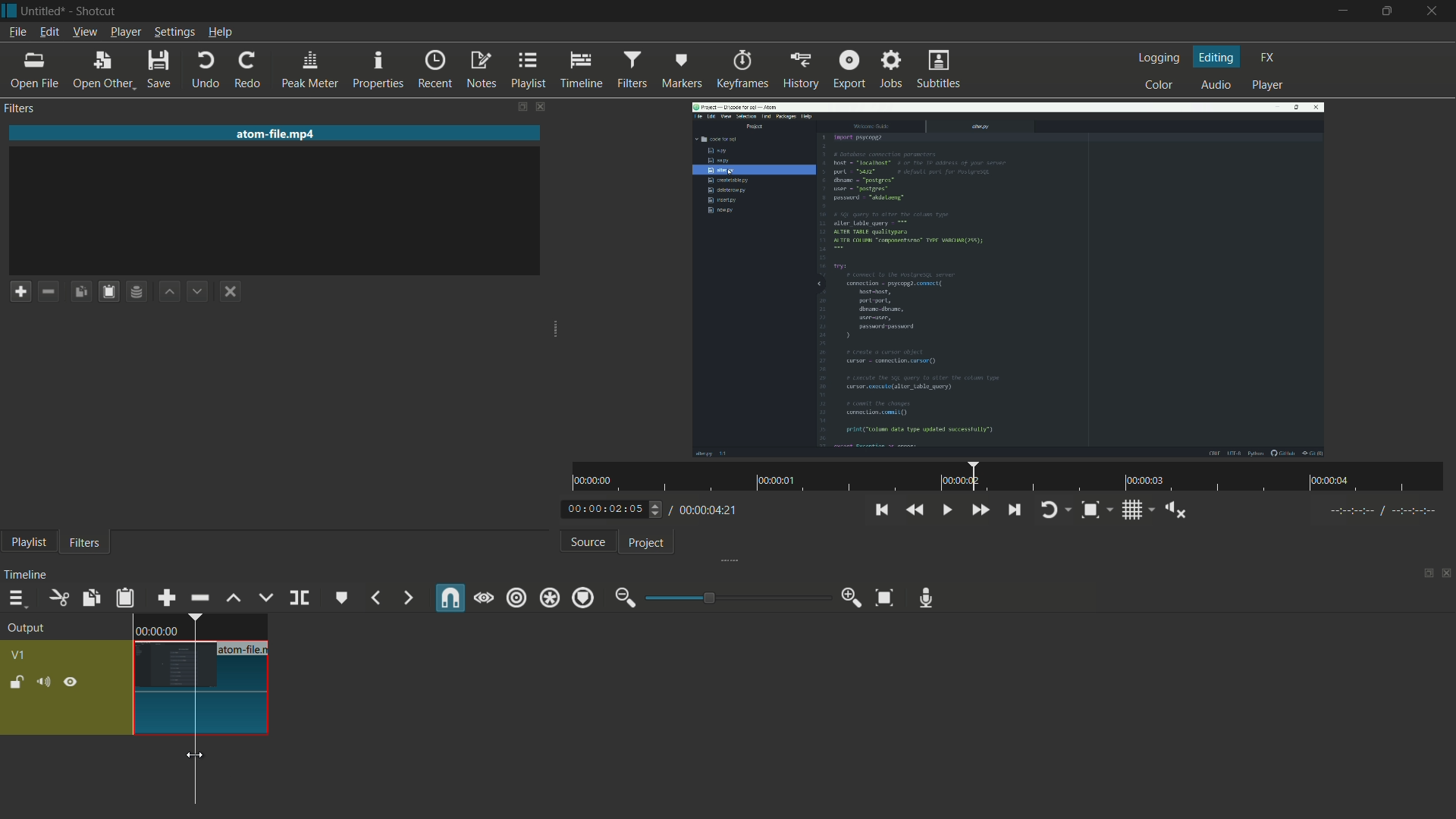 This screenshot has height=819, width=1456. I want to click on view menu, so click(86, 32).